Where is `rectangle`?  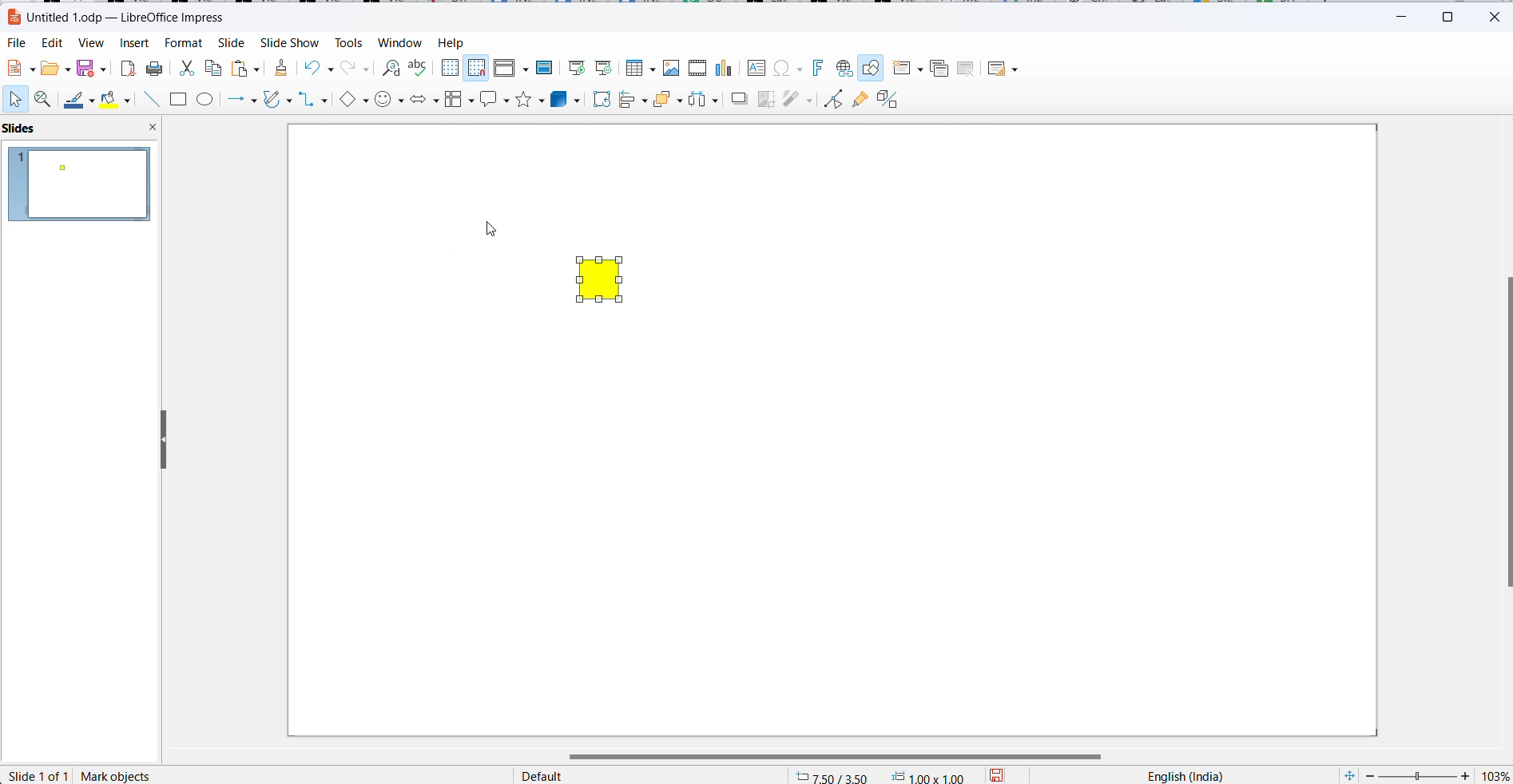
rectangle is located at coordinates (178, 101).